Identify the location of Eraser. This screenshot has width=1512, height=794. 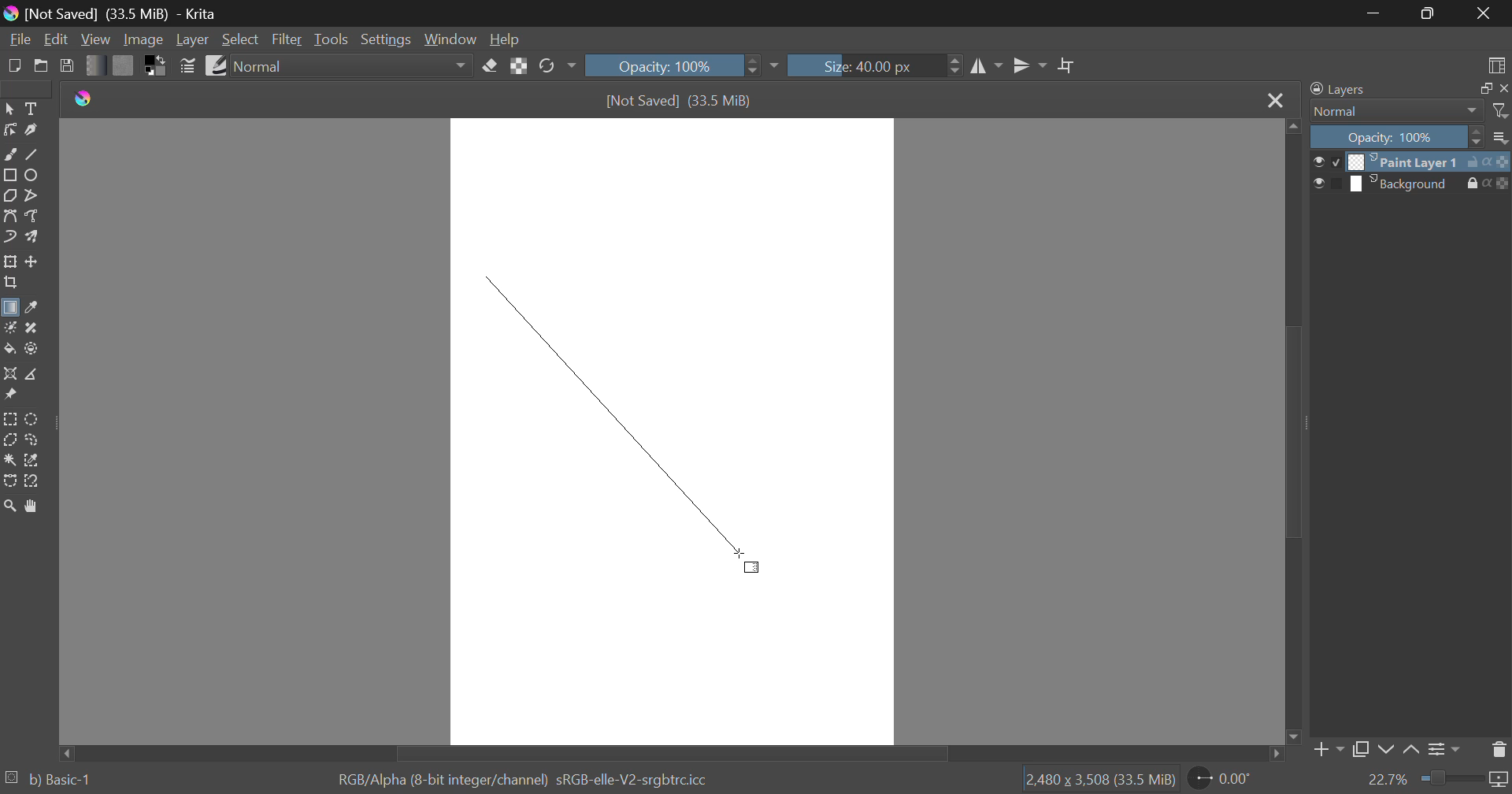
(491, 64).